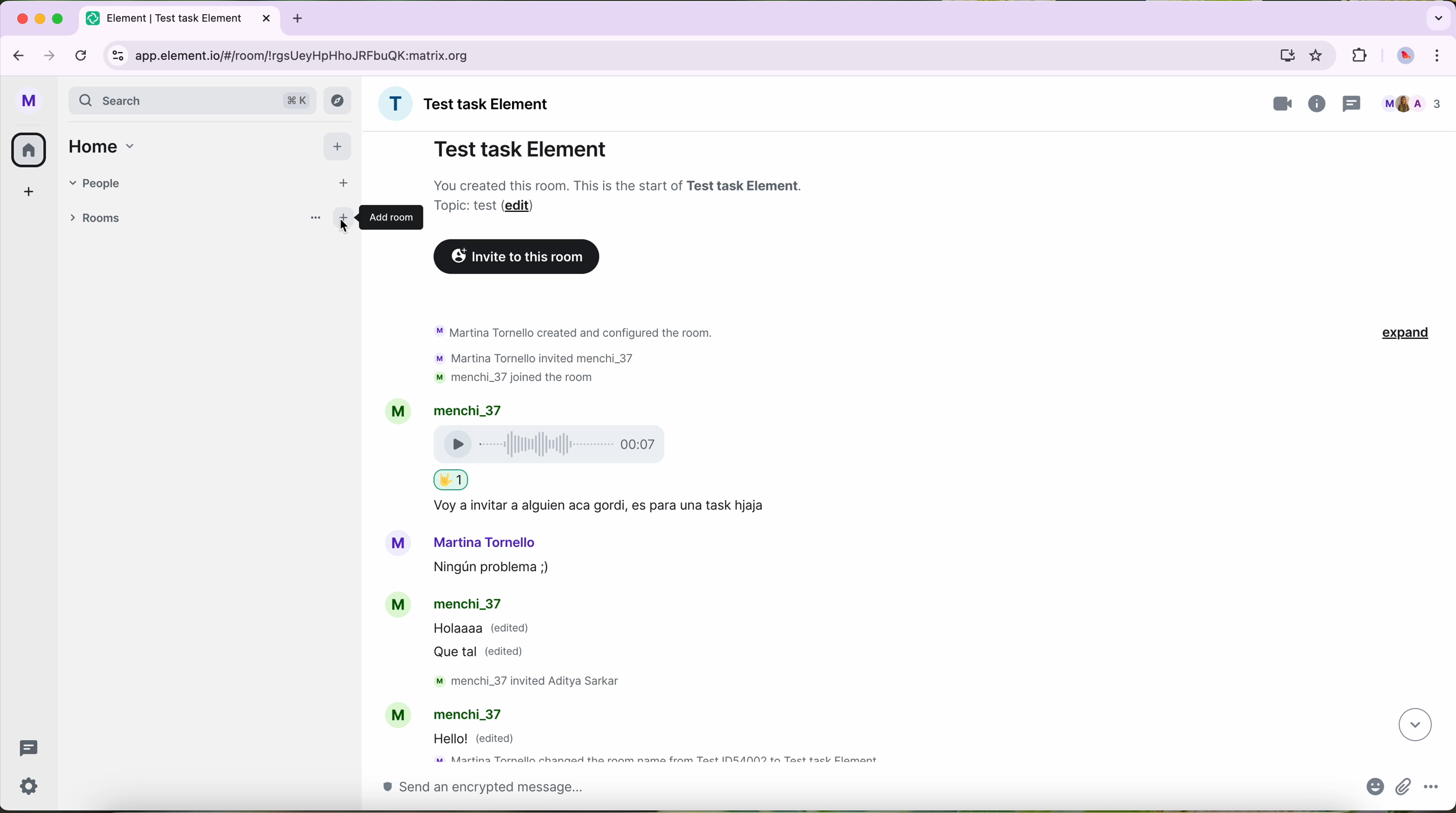 The height and width of the screenshot is (813, 1456). I want to click on add room button, so click(374, 219).